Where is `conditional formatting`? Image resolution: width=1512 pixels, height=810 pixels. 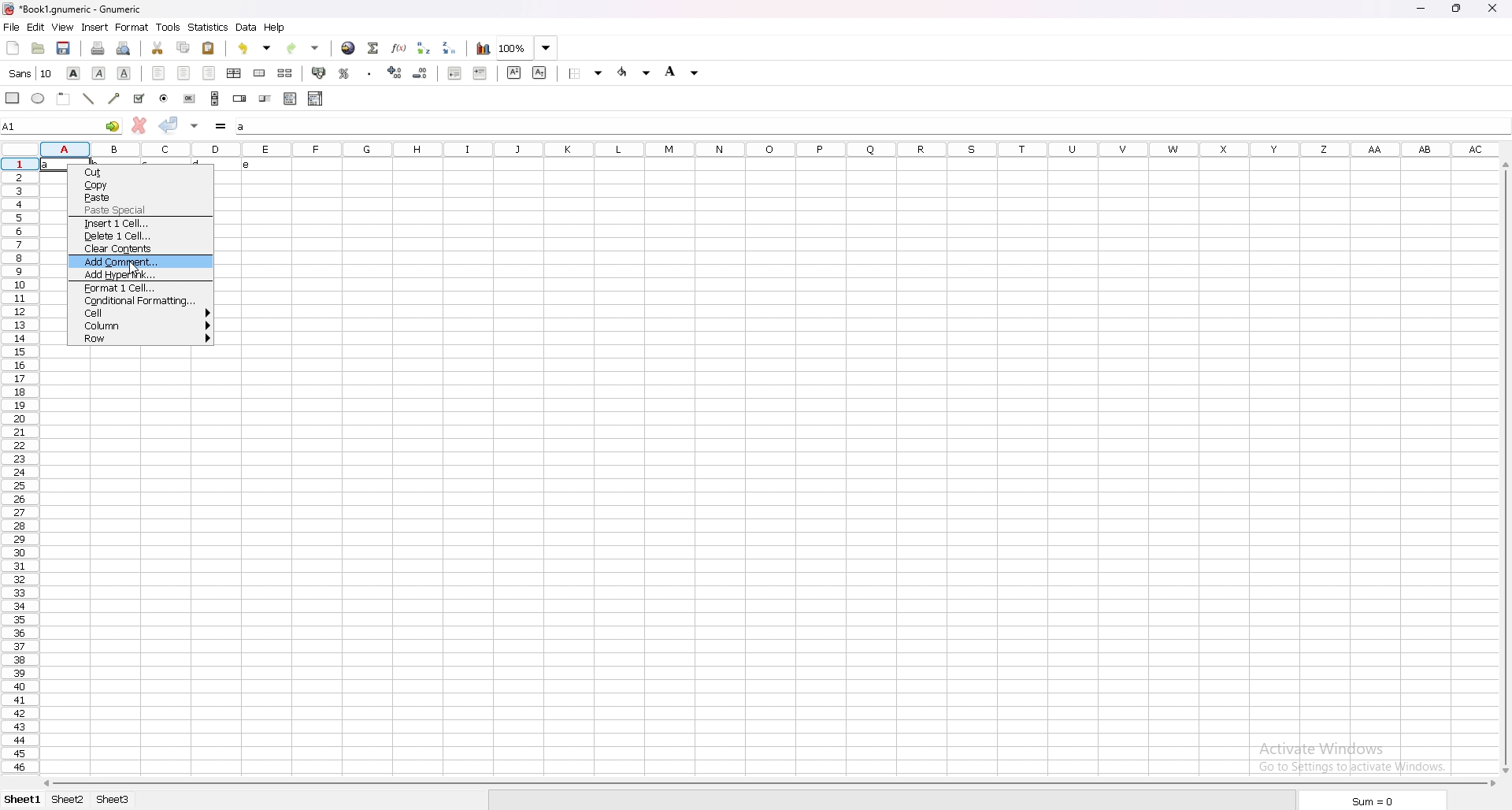
conditional formatting is located at coordinates (139, 301).